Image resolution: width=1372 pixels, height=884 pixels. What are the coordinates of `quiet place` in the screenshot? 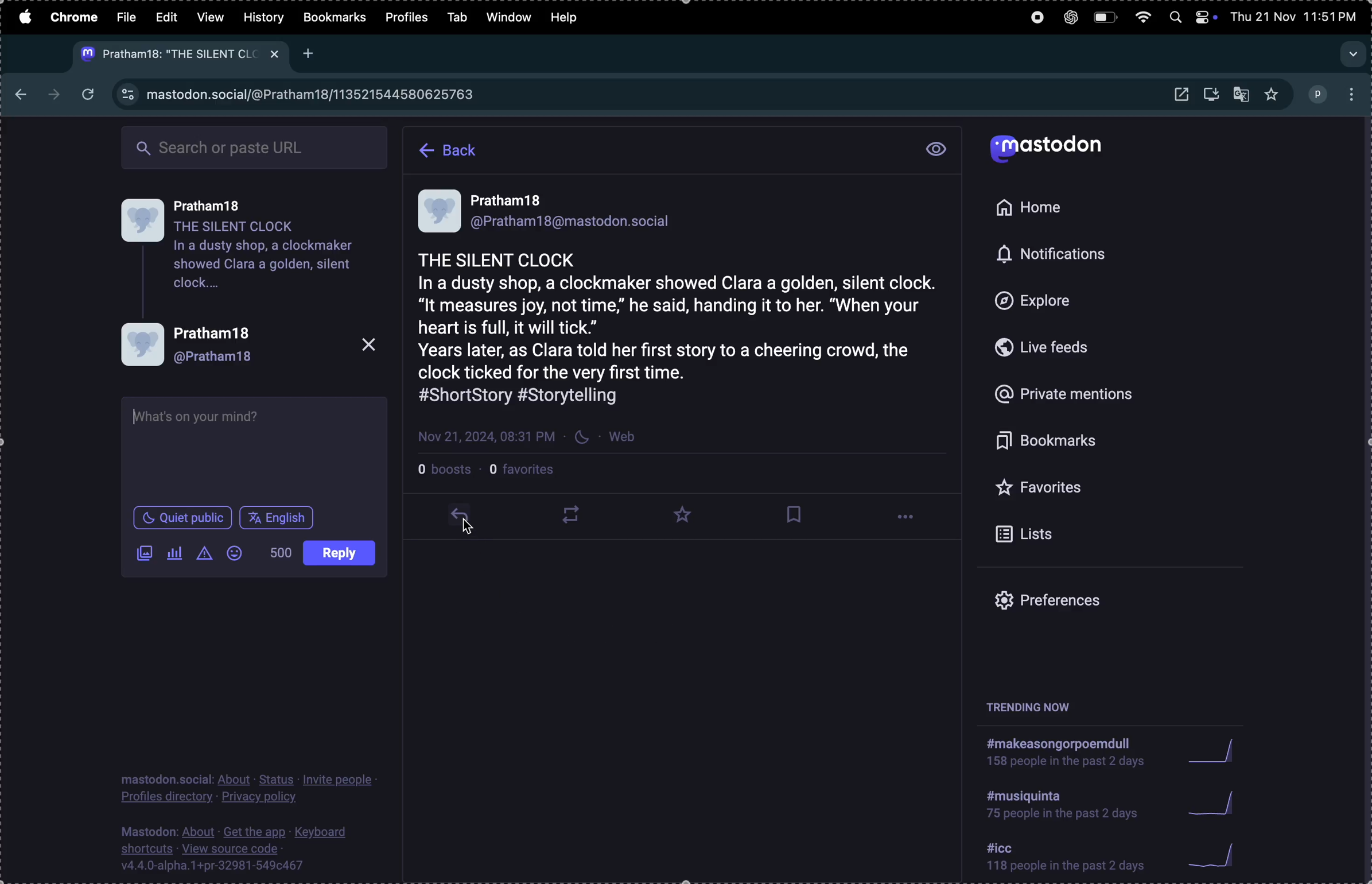 It's located at (181, 517).